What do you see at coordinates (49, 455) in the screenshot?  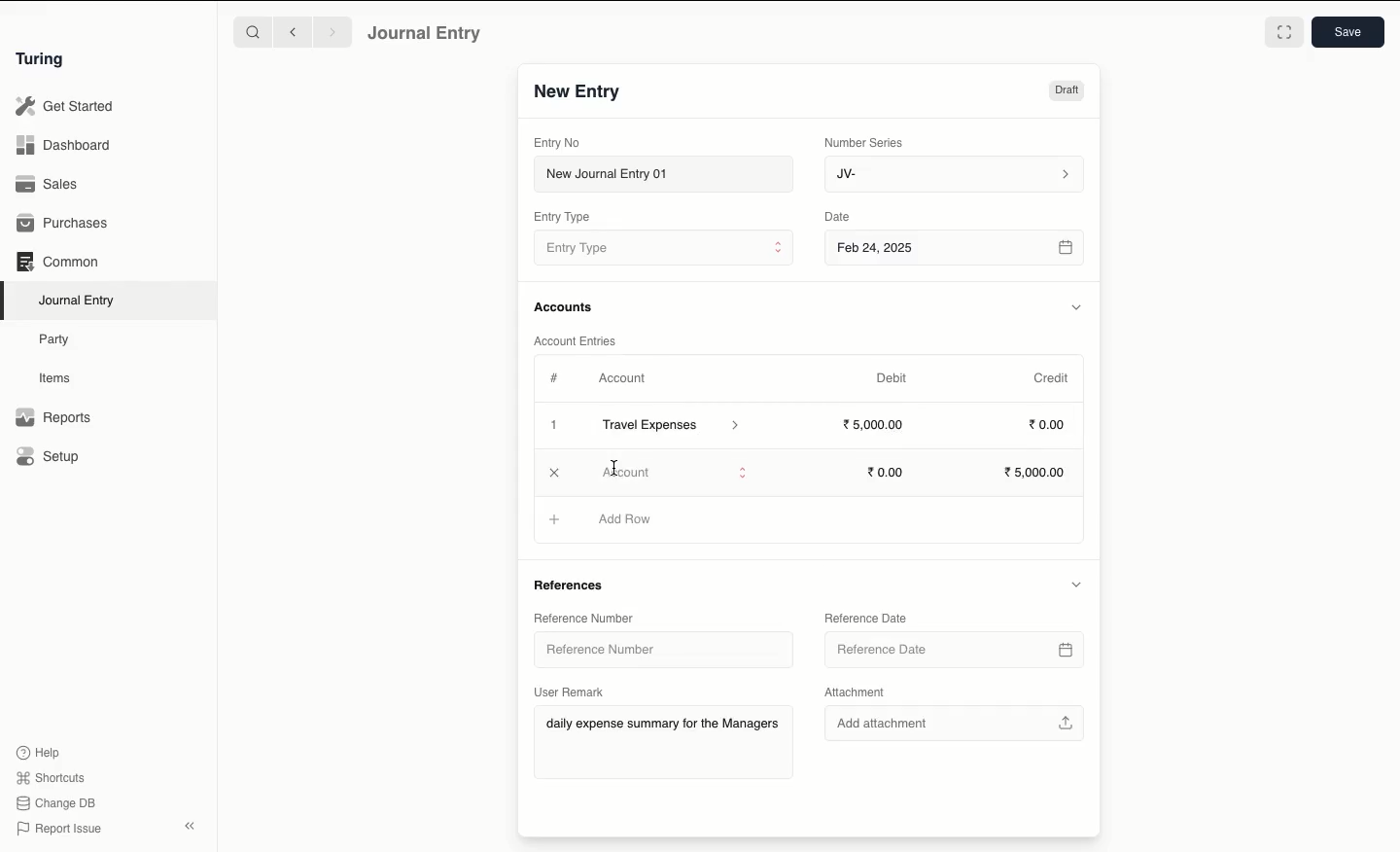 I see `Setup` at bounding box center [49, 455].